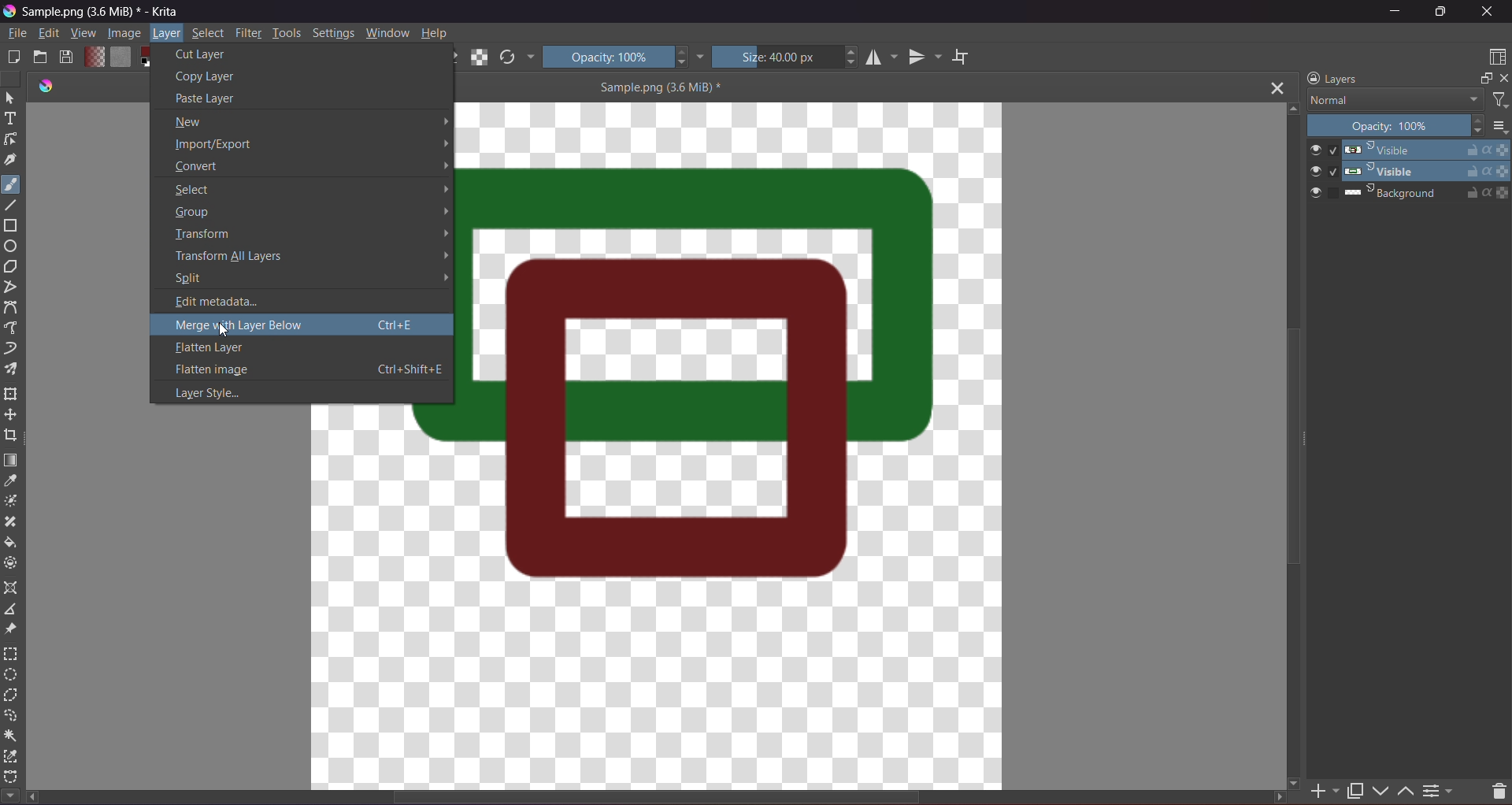 The width and height of the screenshot is (1512, 805). What do you see at coordinates (333, 32) in the screenshot?
I see `Settings` at bounding box center [333, 32].